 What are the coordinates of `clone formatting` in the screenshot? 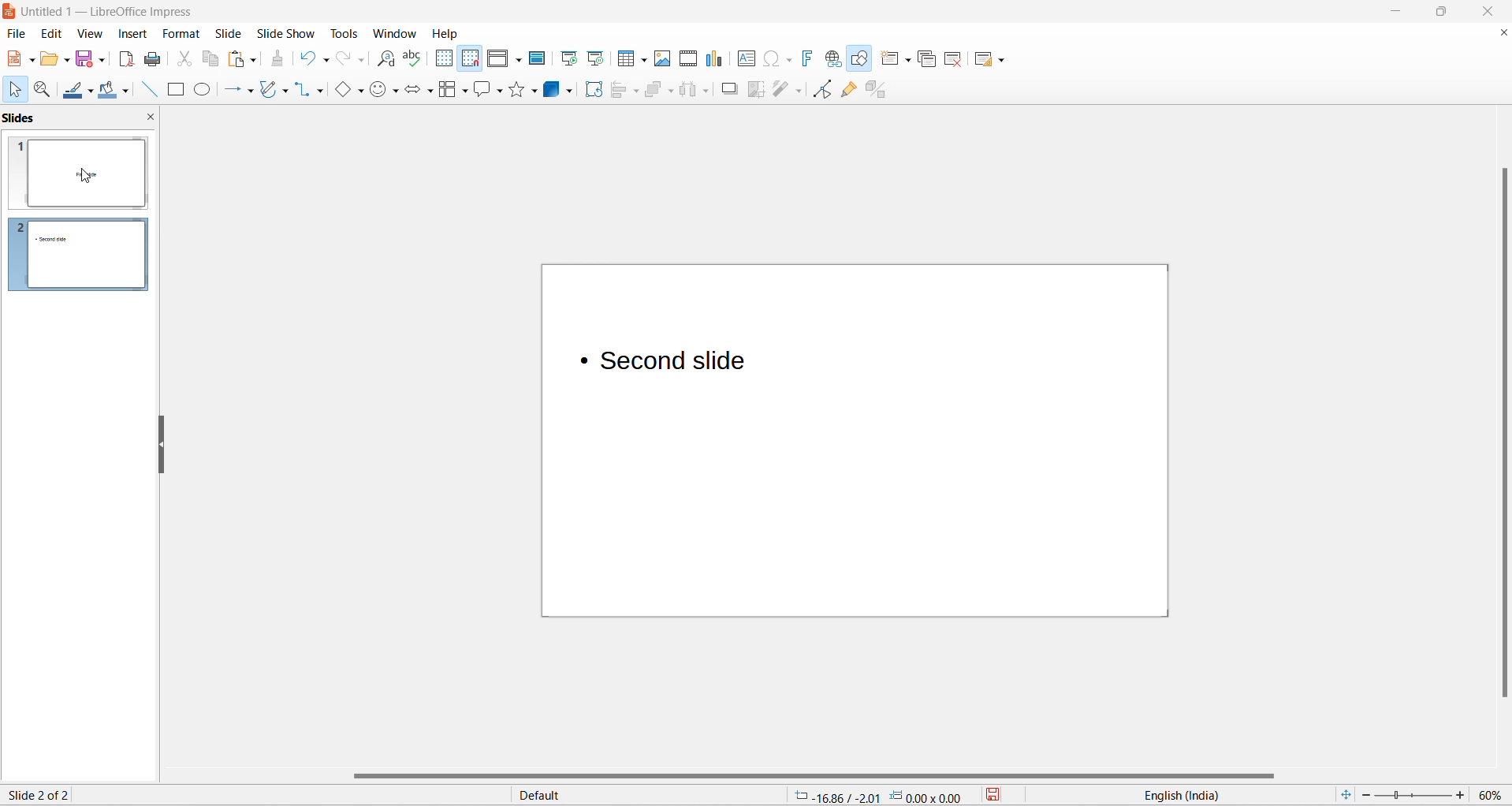 It's located at (279, 59).